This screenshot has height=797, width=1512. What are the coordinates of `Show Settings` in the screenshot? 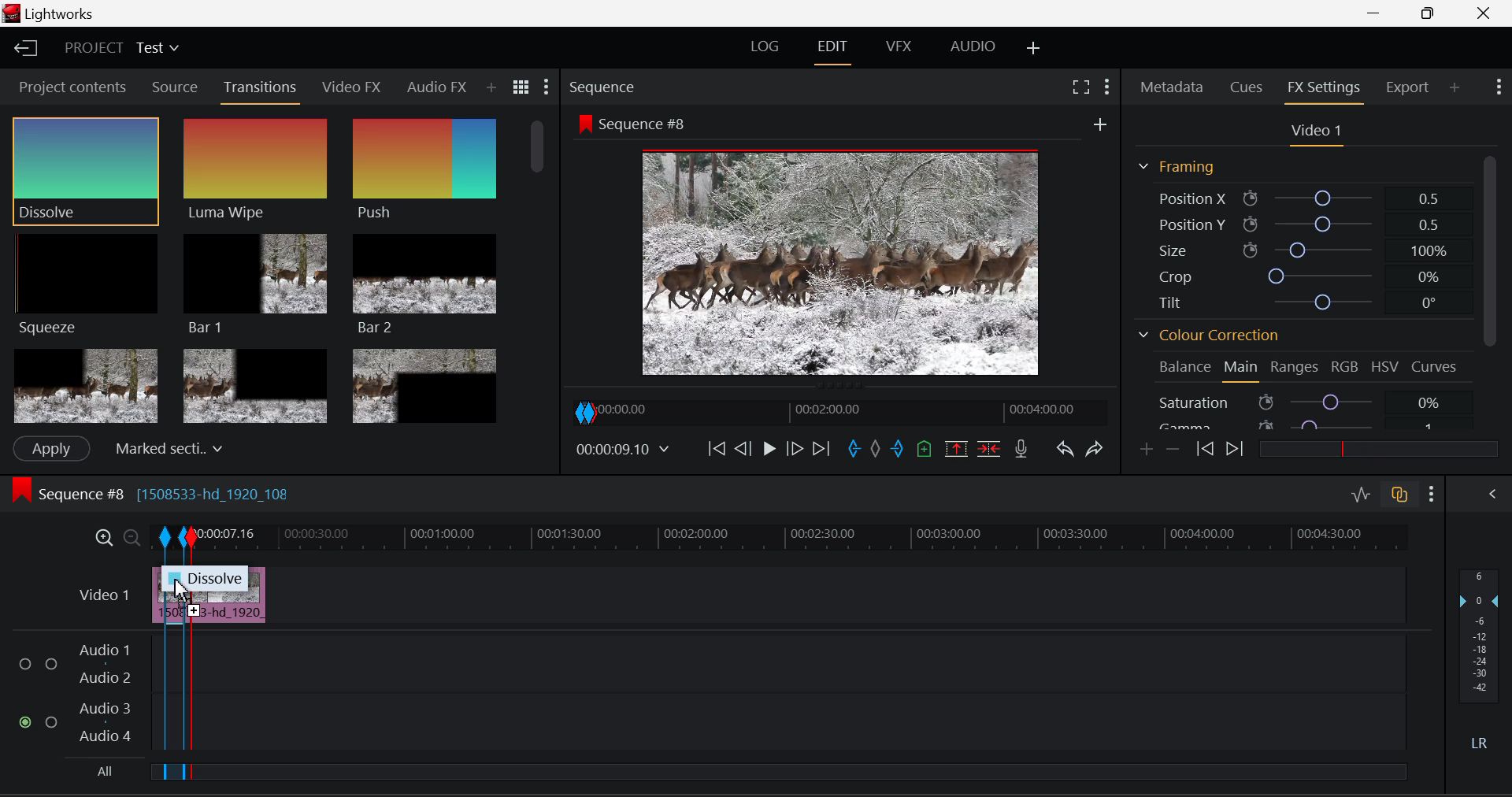 It's located at (547, 86).